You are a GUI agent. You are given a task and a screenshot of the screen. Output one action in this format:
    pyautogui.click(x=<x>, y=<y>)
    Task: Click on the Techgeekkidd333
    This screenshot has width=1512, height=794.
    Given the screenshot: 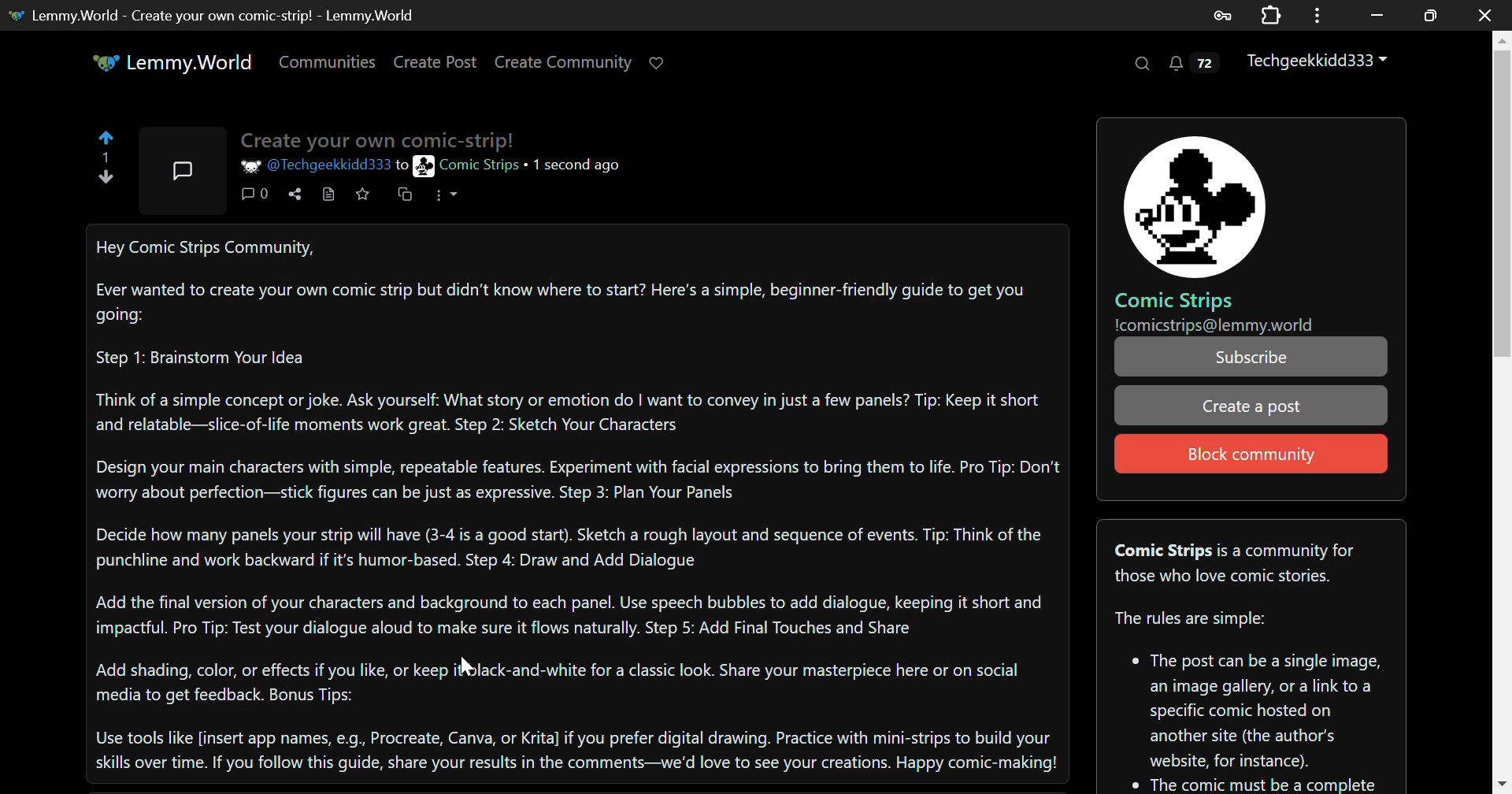 What is the action you would take?
    pyautogui.click(x=1319, y=62)
    